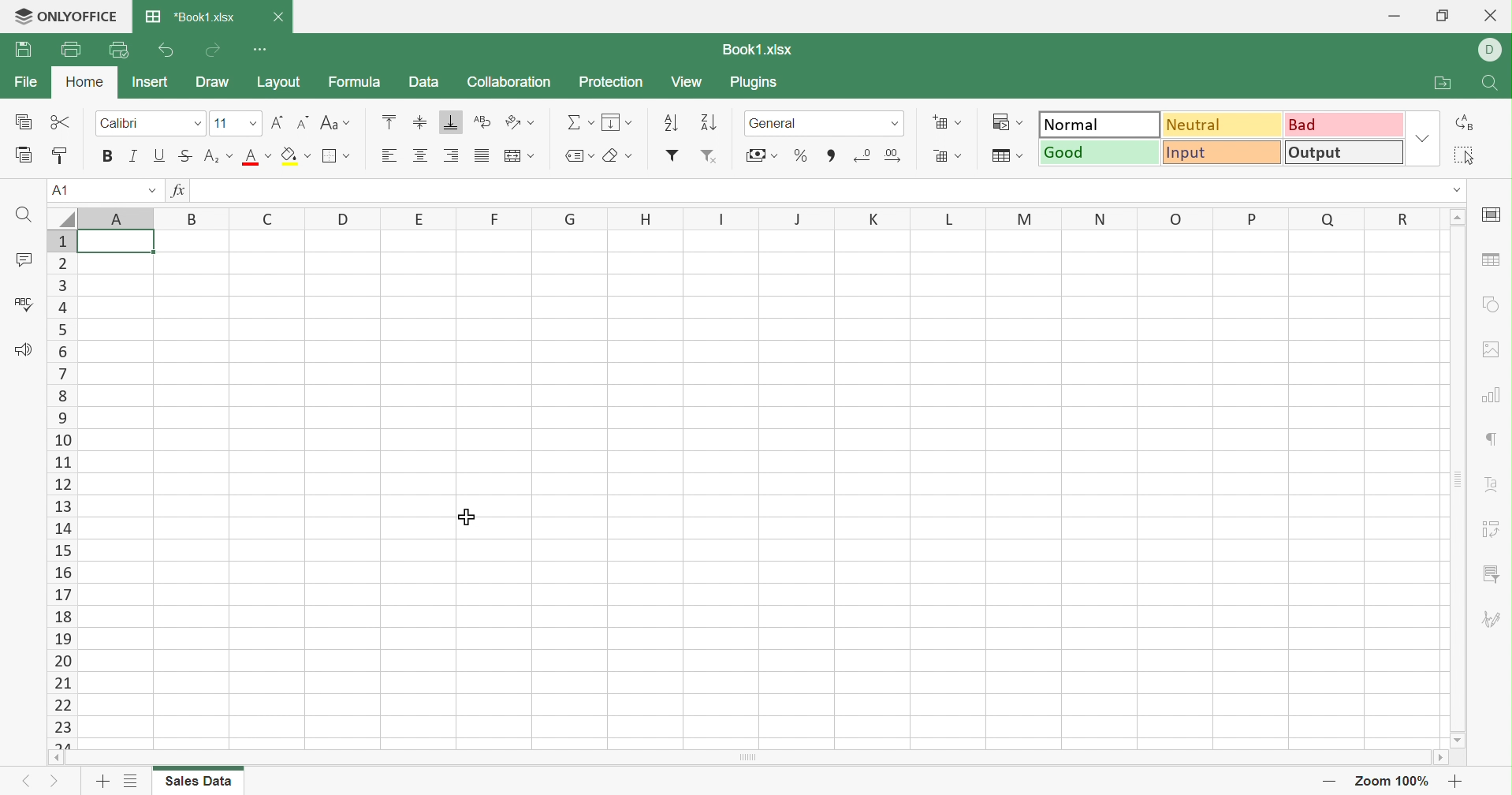 Image resolution: width=1512 pixels, height=795 pixels. Describe the element at coordinates (481, 121) in the screenshot. I see `Wrap Text` at that location.